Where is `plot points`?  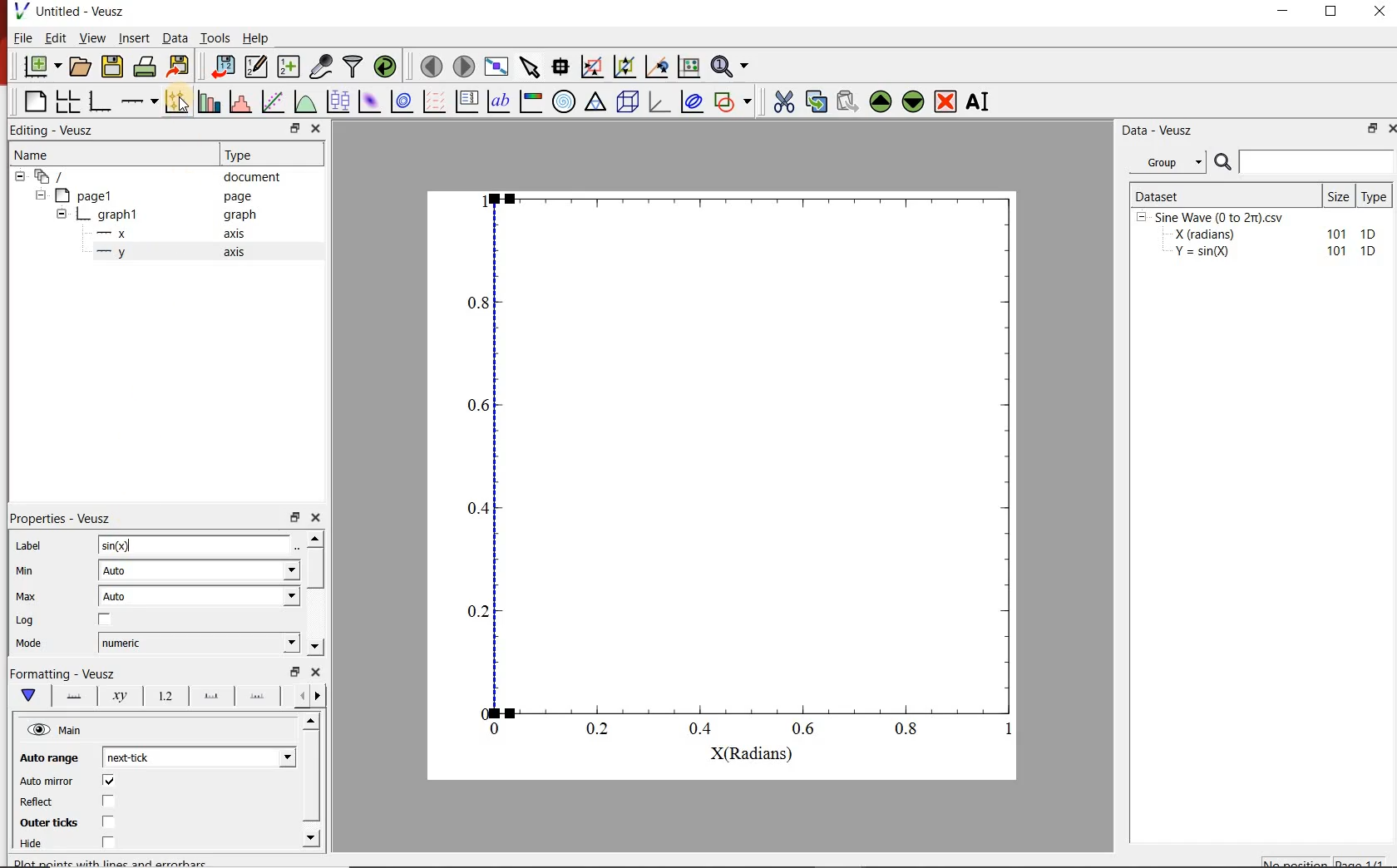
plot points is located at coordinates (179, 101).